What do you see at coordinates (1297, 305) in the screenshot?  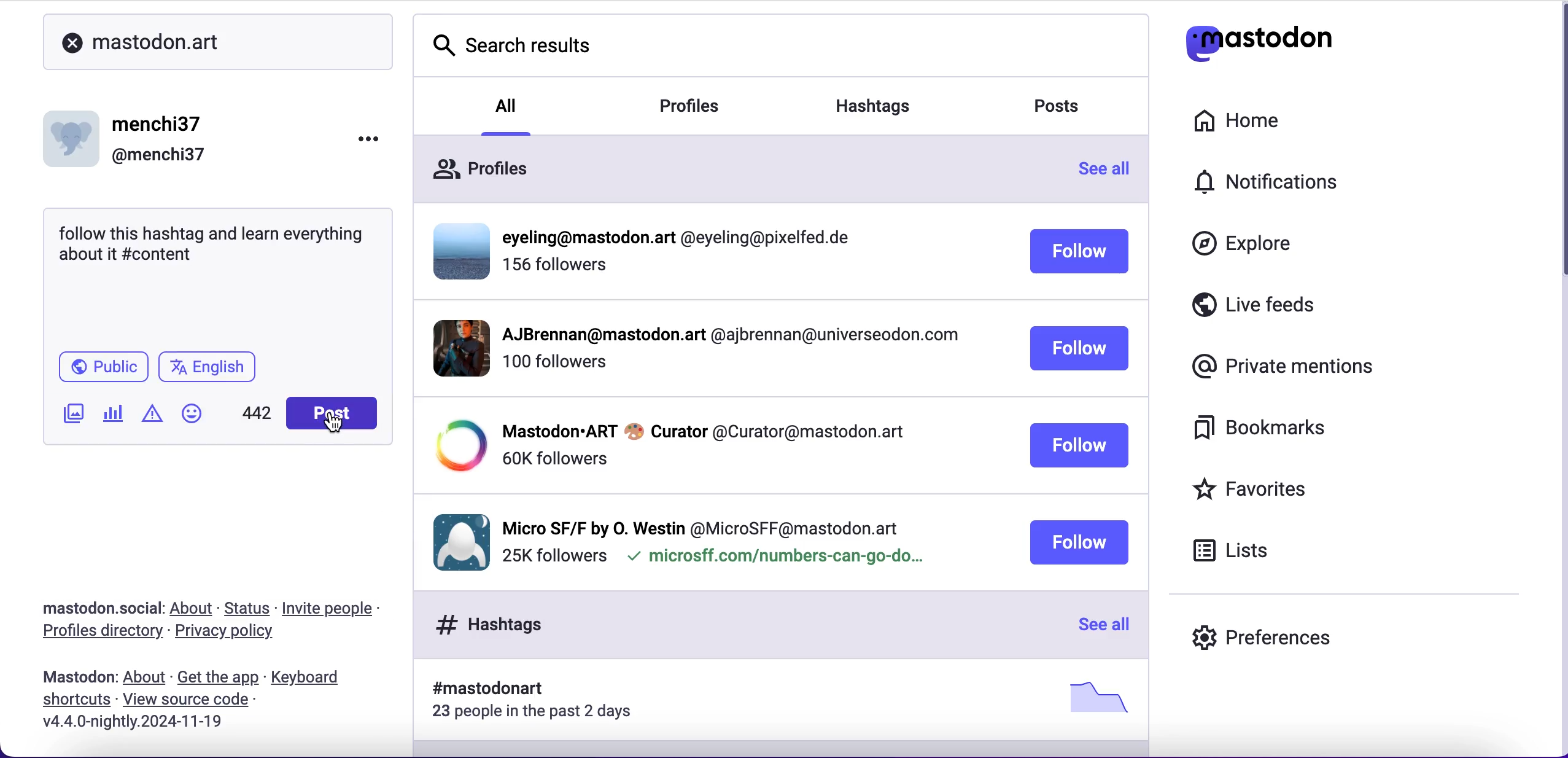 I see `live feeds` at bounding box center [1297, 305].